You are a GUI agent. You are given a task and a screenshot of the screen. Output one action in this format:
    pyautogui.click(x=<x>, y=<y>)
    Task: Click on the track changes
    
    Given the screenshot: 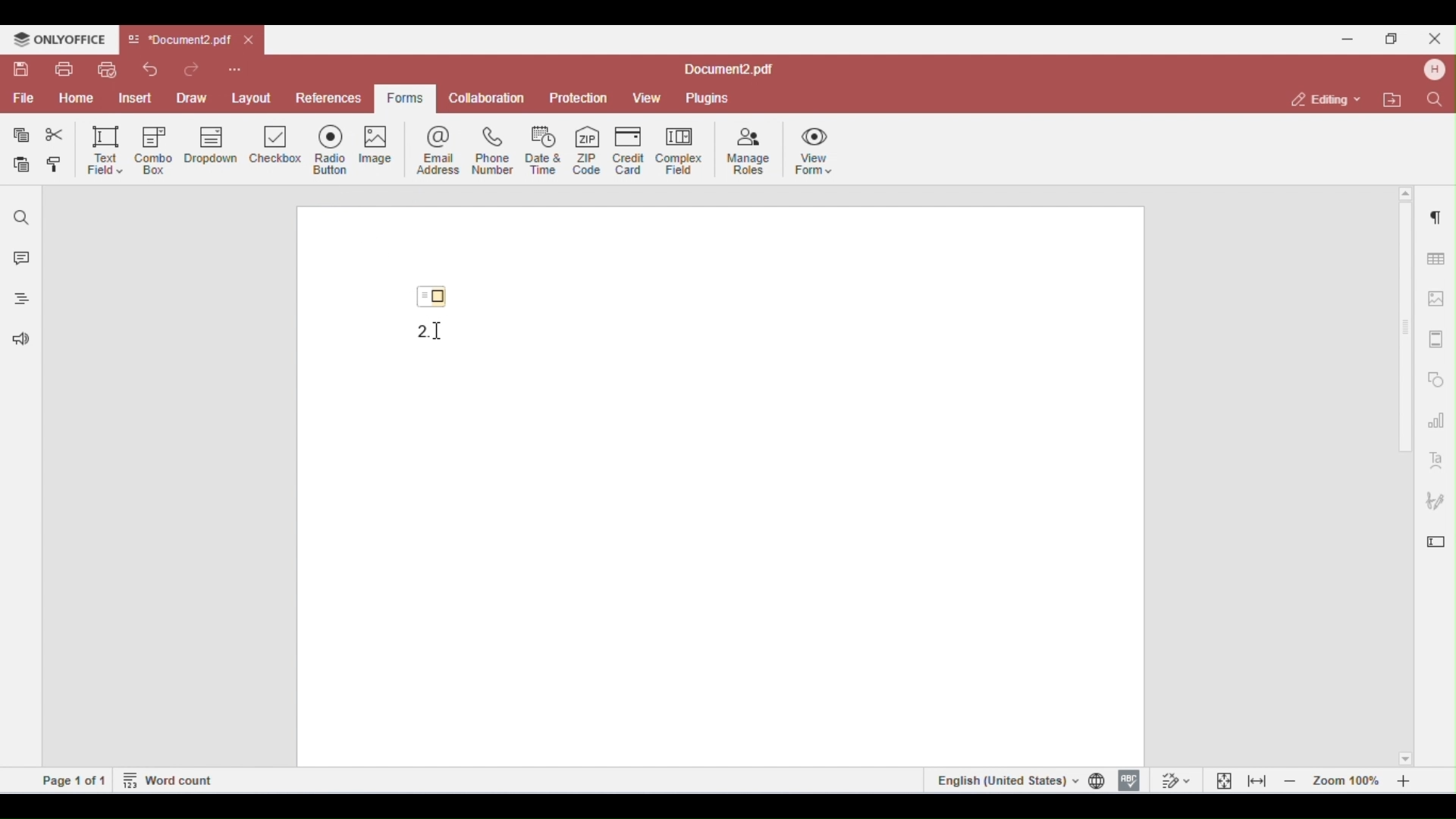 What is the action you would take?
    pyautogui.click(x=1174, y=780)
    